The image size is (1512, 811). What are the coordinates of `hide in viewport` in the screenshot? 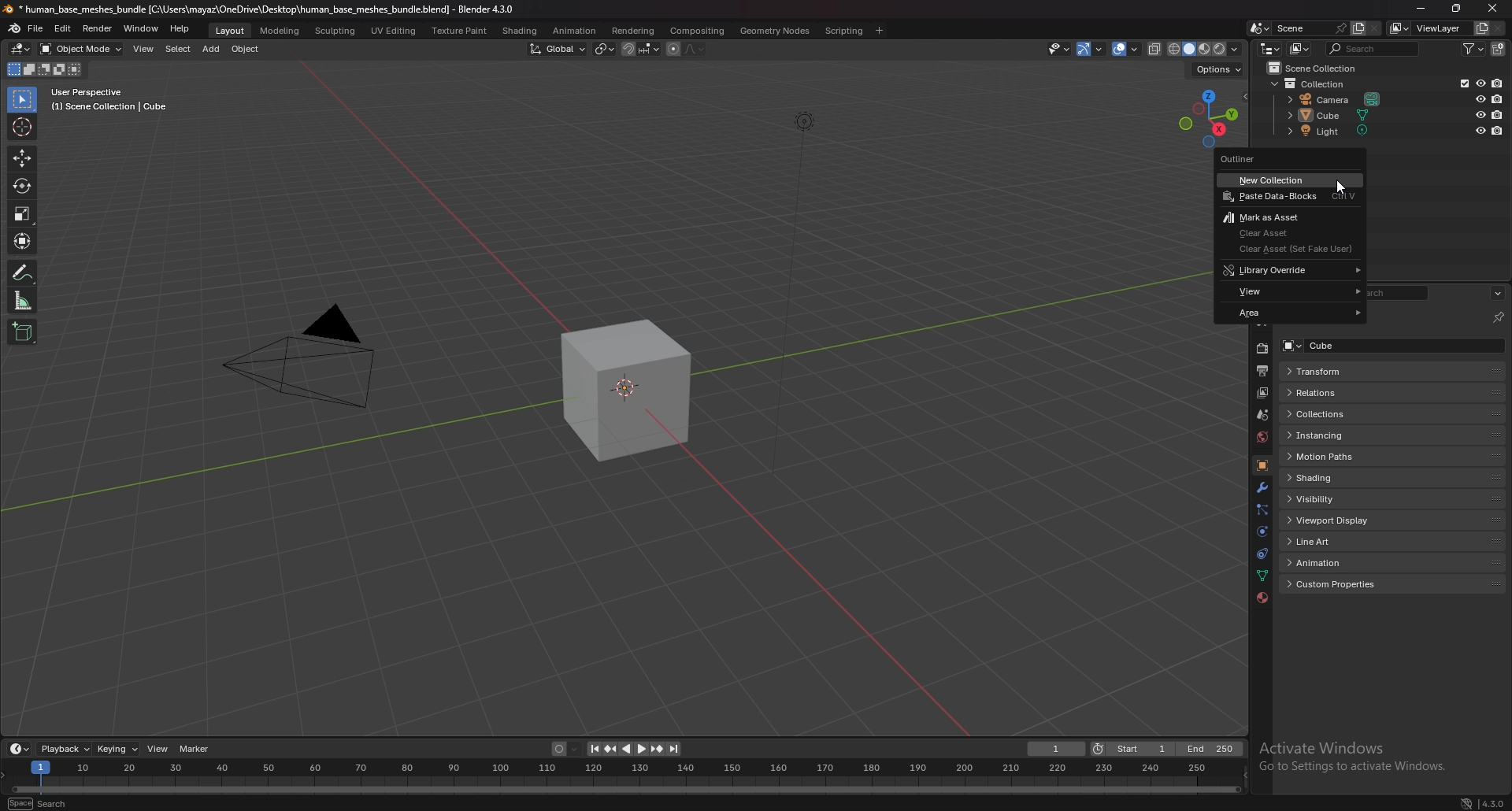 It's located at (1480, 83).